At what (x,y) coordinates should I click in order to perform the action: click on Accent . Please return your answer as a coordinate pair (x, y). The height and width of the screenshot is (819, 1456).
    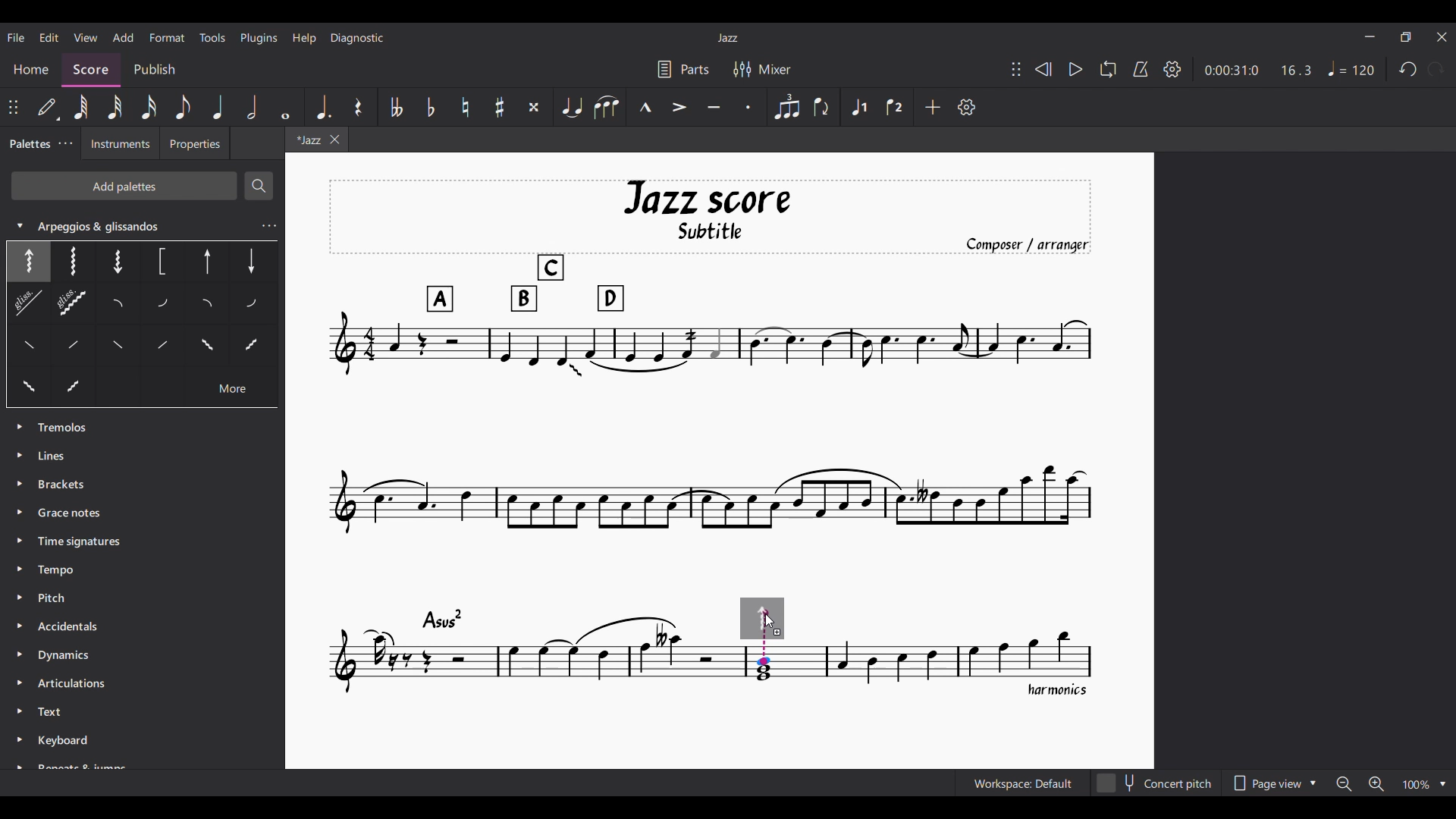
    Looking at the image, I should click on (679, 107).